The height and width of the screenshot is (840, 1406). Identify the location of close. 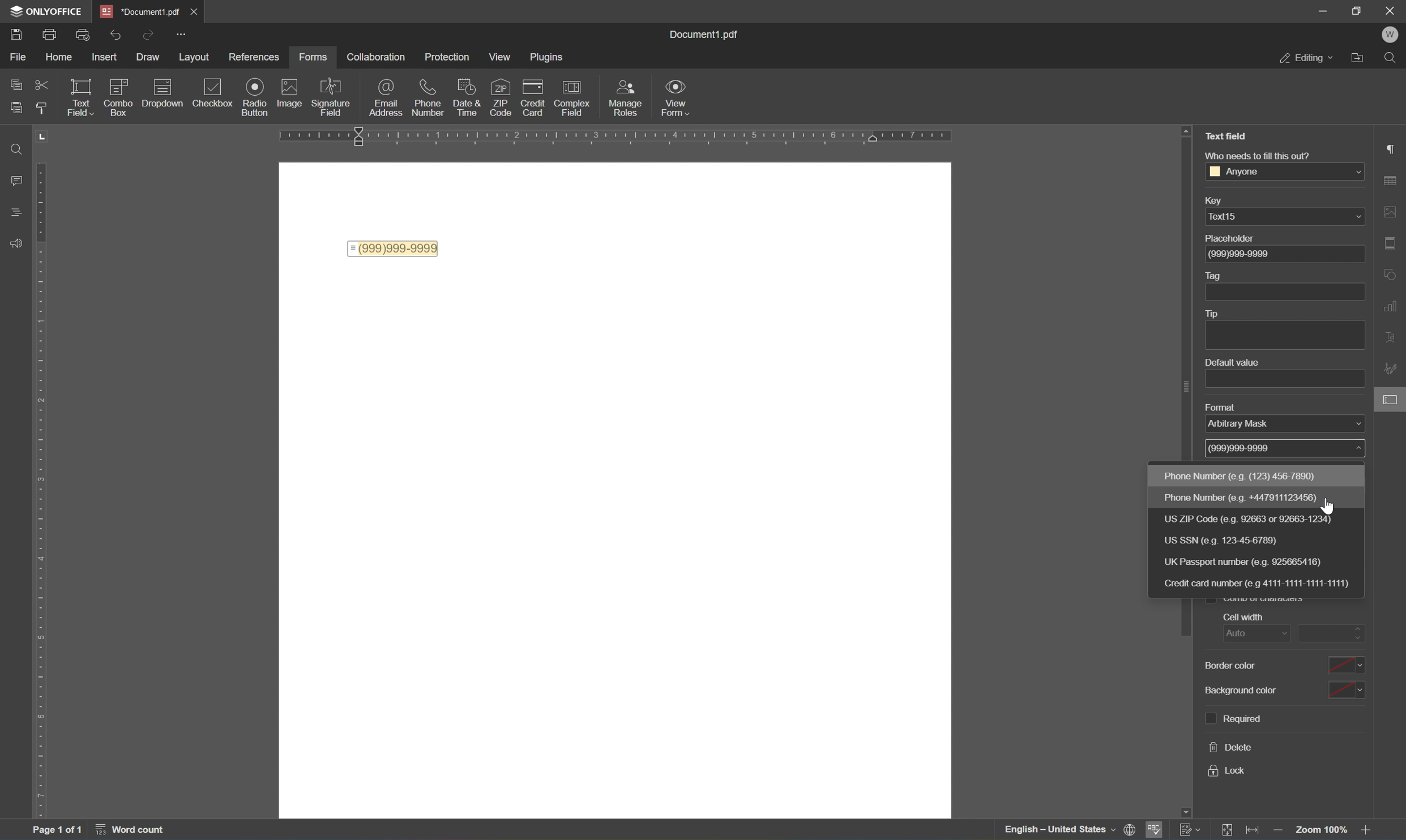
(194, 10).